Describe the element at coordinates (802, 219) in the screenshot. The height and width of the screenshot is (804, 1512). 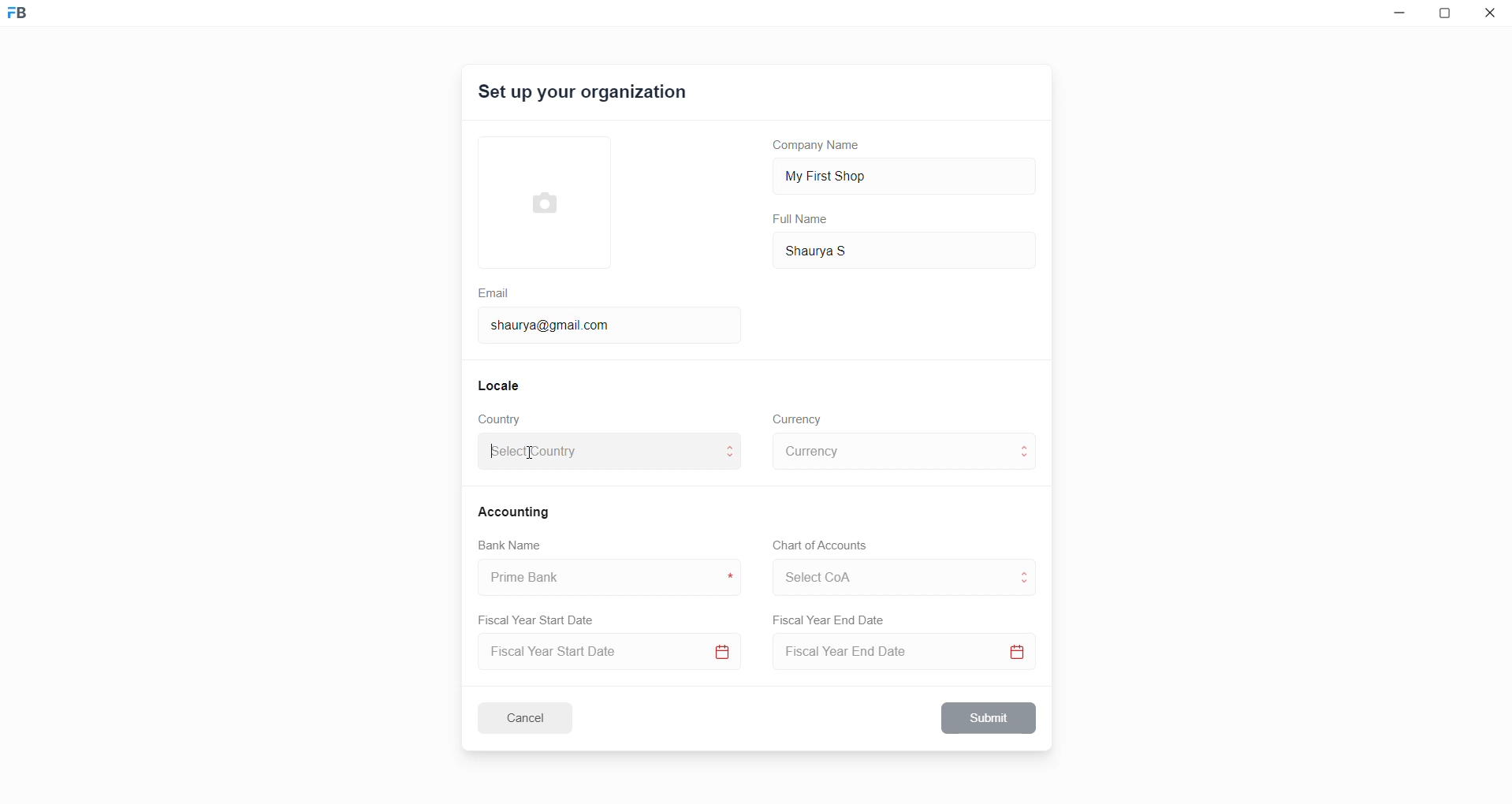
I see `Full Name` at that location.